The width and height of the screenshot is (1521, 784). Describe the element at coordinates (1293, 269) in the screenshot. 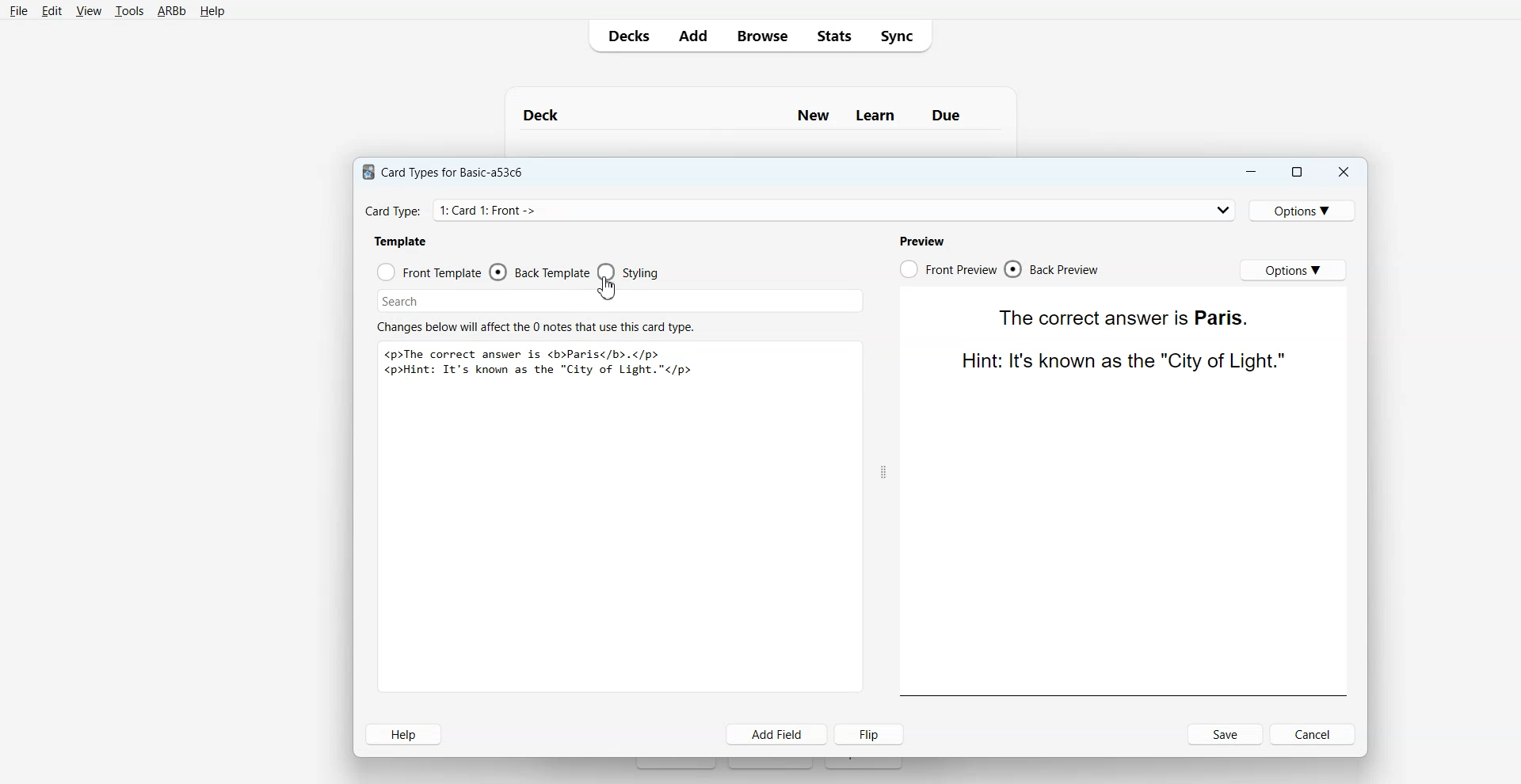

I see `Options` at that location.